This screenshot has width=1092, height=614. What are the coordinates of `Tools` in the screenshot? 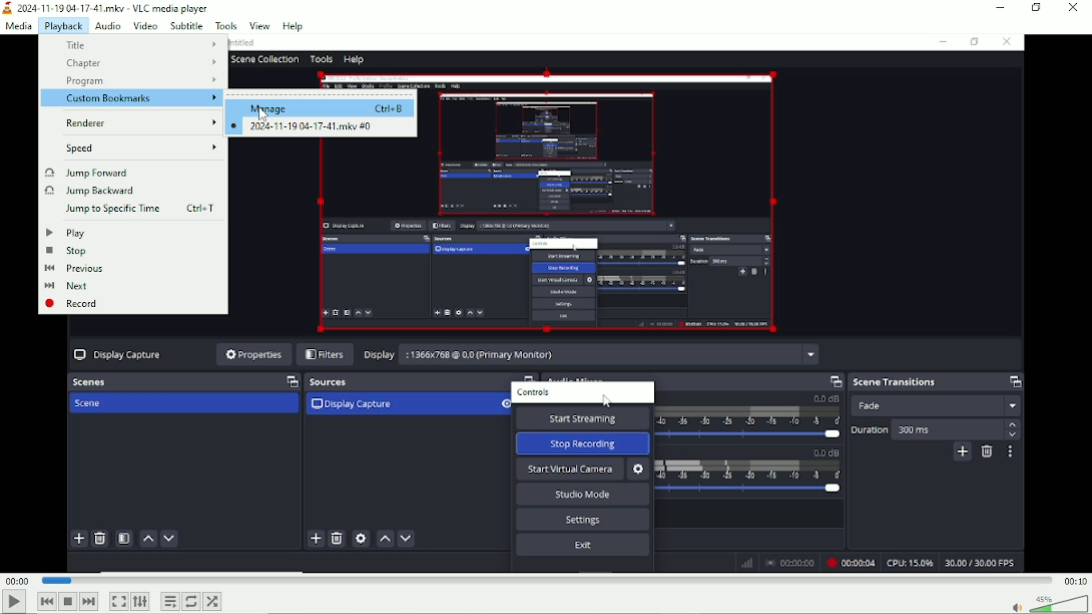 It's located at (226, 26).